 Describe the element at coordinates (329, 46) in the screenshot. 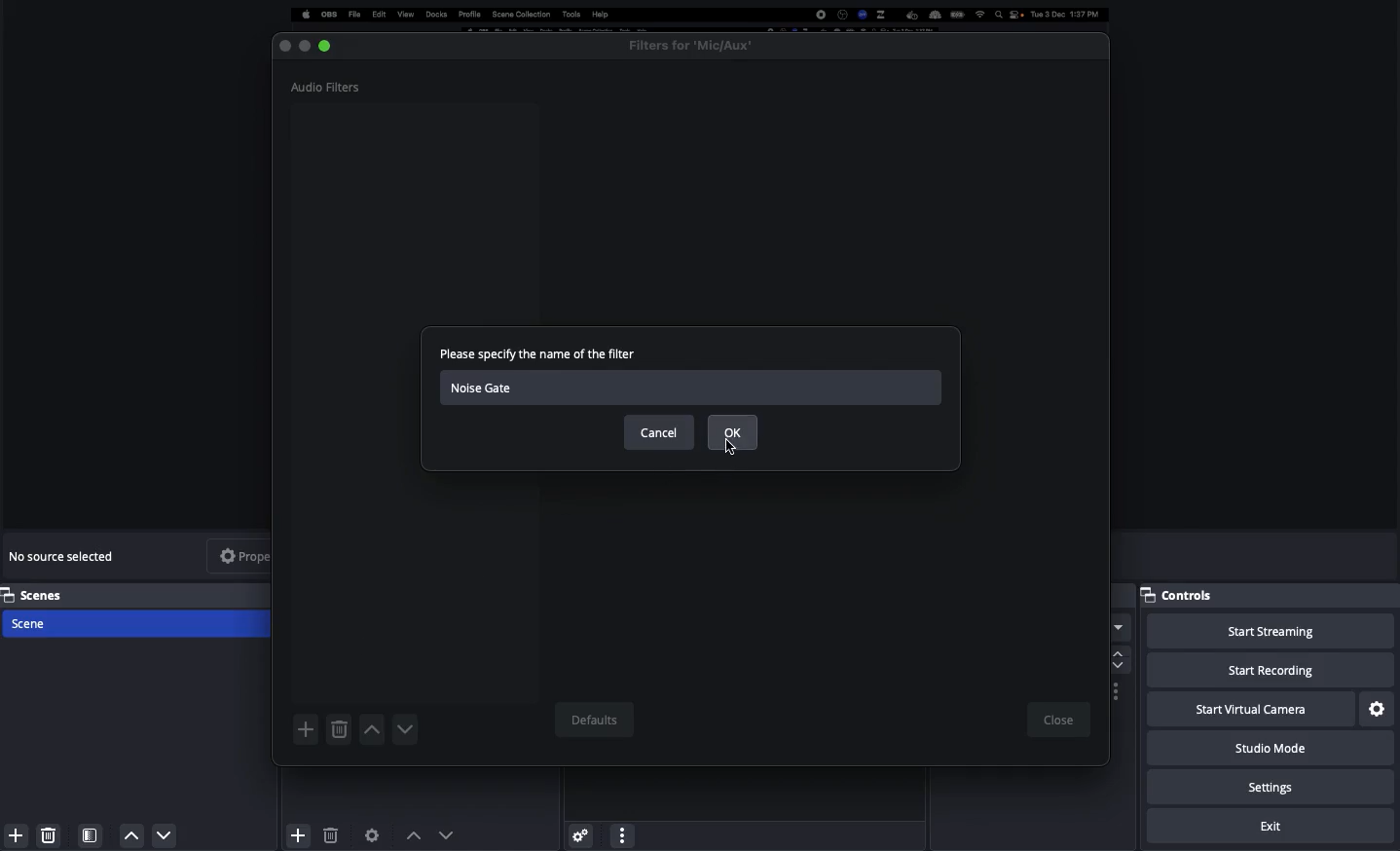

I see `Maximize` at that location.